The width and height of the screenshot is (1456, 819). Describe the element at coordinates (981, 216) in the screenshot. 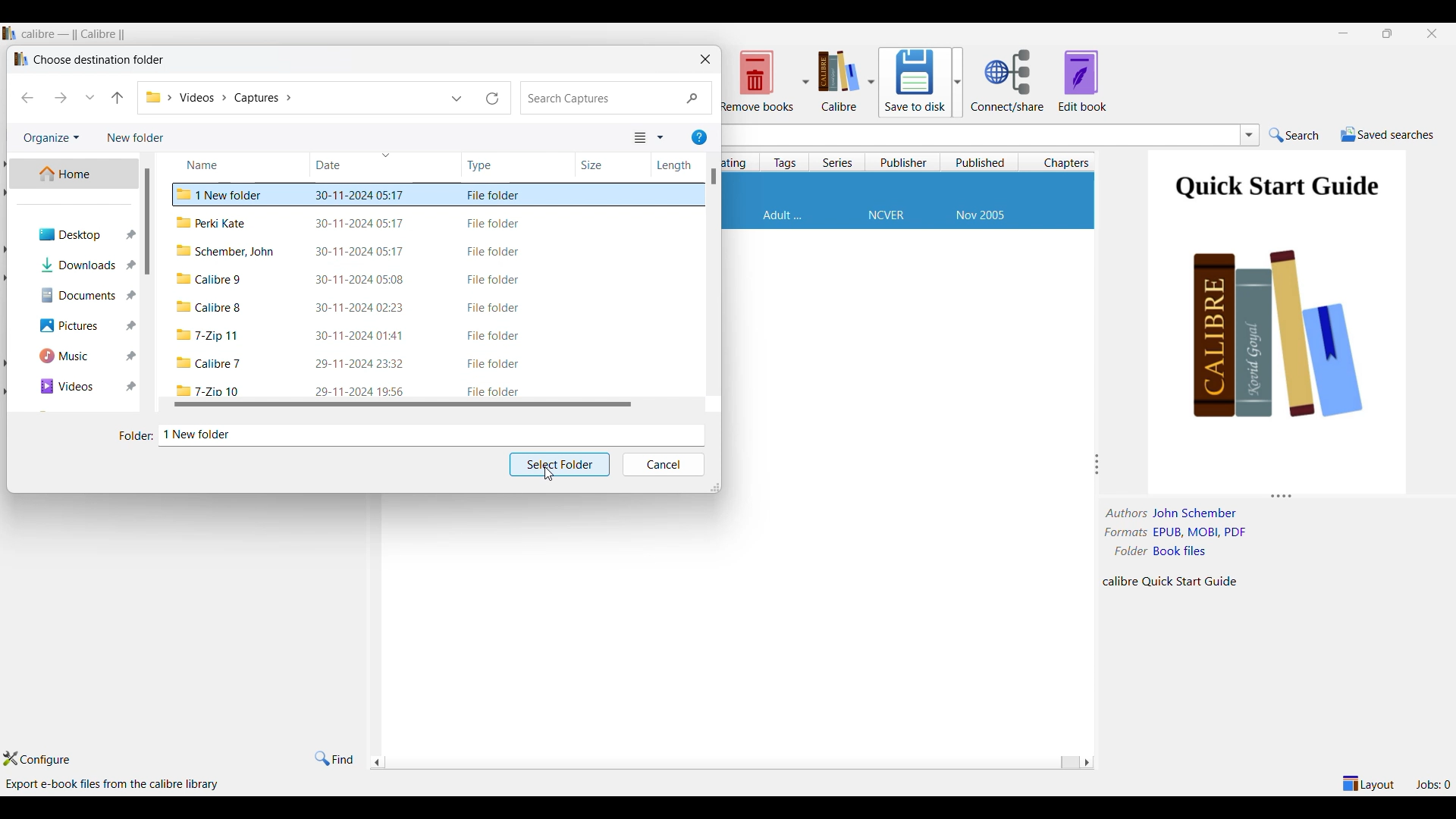

I see `Publish date` at that location.